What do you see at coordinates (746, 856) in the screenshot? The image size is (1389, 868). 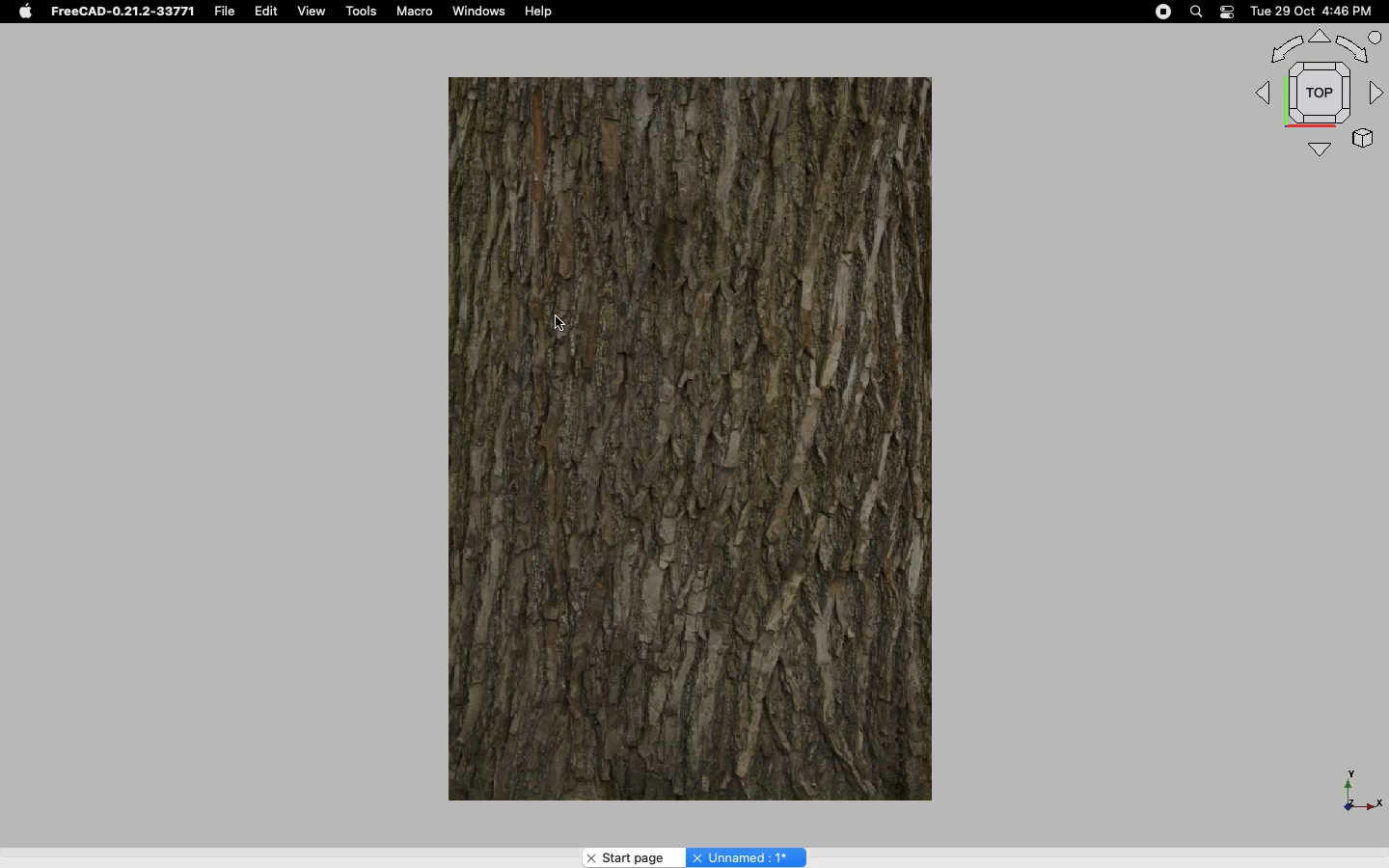 I see `Unnamed:1*` at bounding box center [746, 856].